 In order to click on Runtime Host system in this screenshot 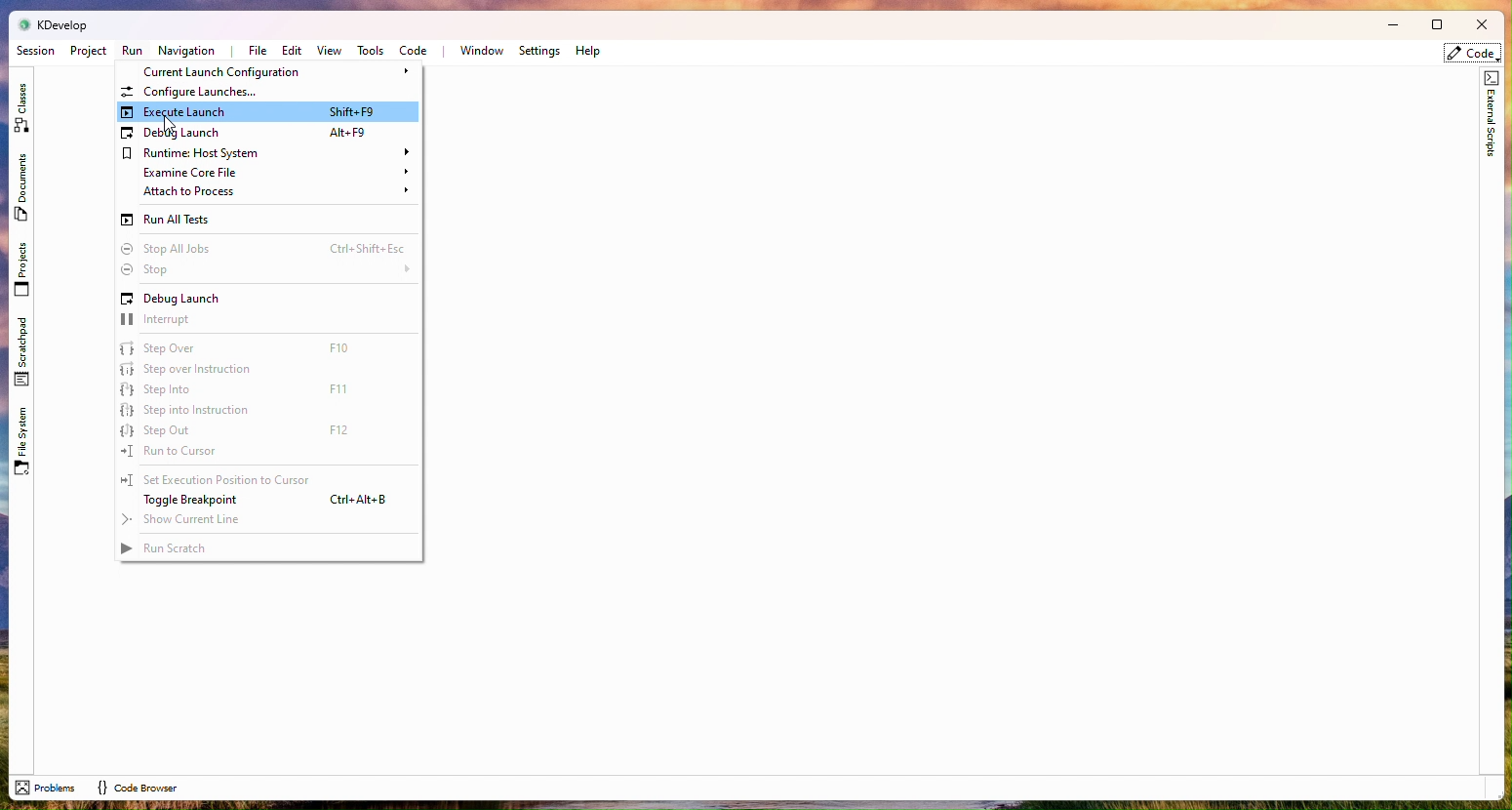, I will do `click(267, 153)`.